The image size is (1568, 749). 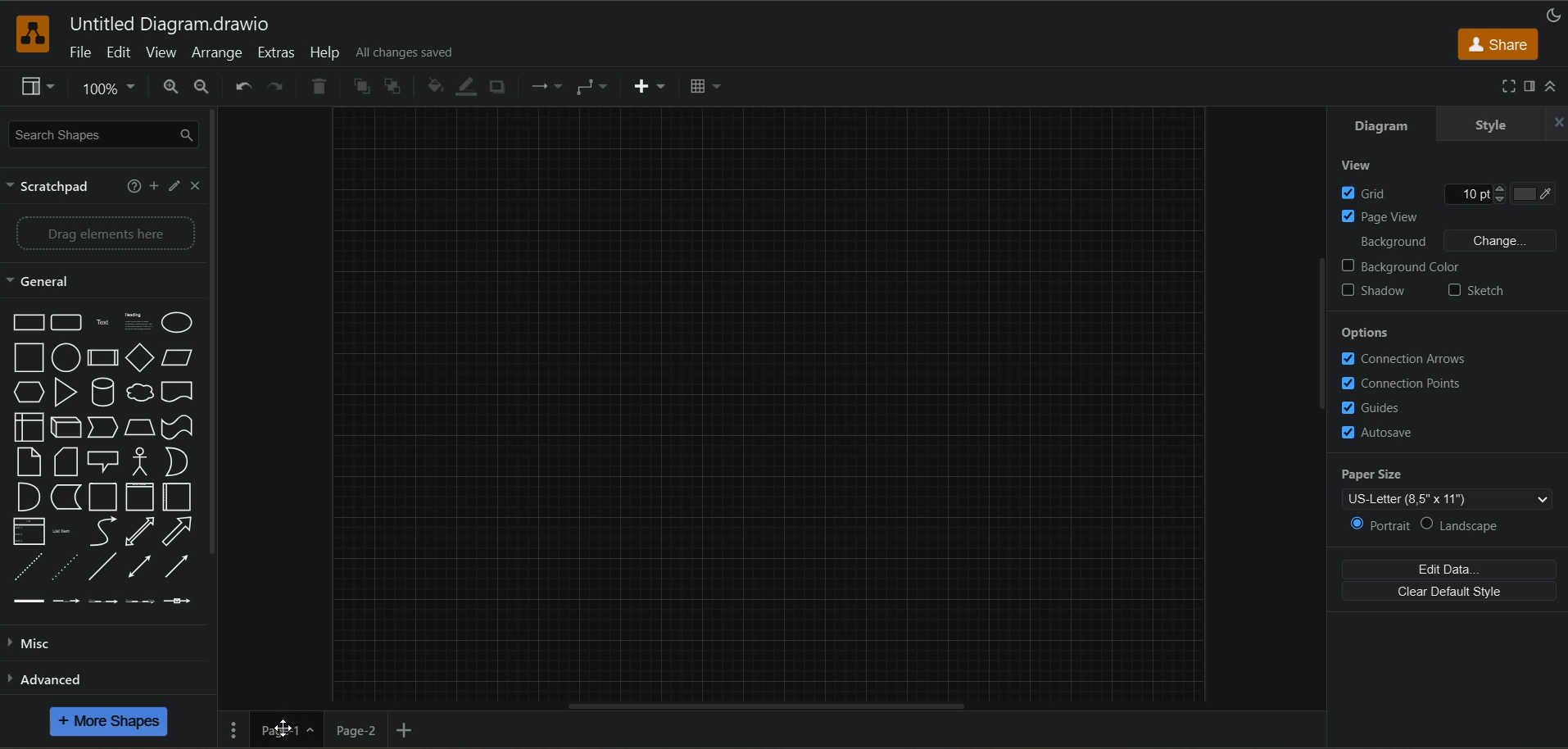 What do you see at coordinates (1498, 45) in the screenshot?
I see `share` at bounding box center [1498, 45].